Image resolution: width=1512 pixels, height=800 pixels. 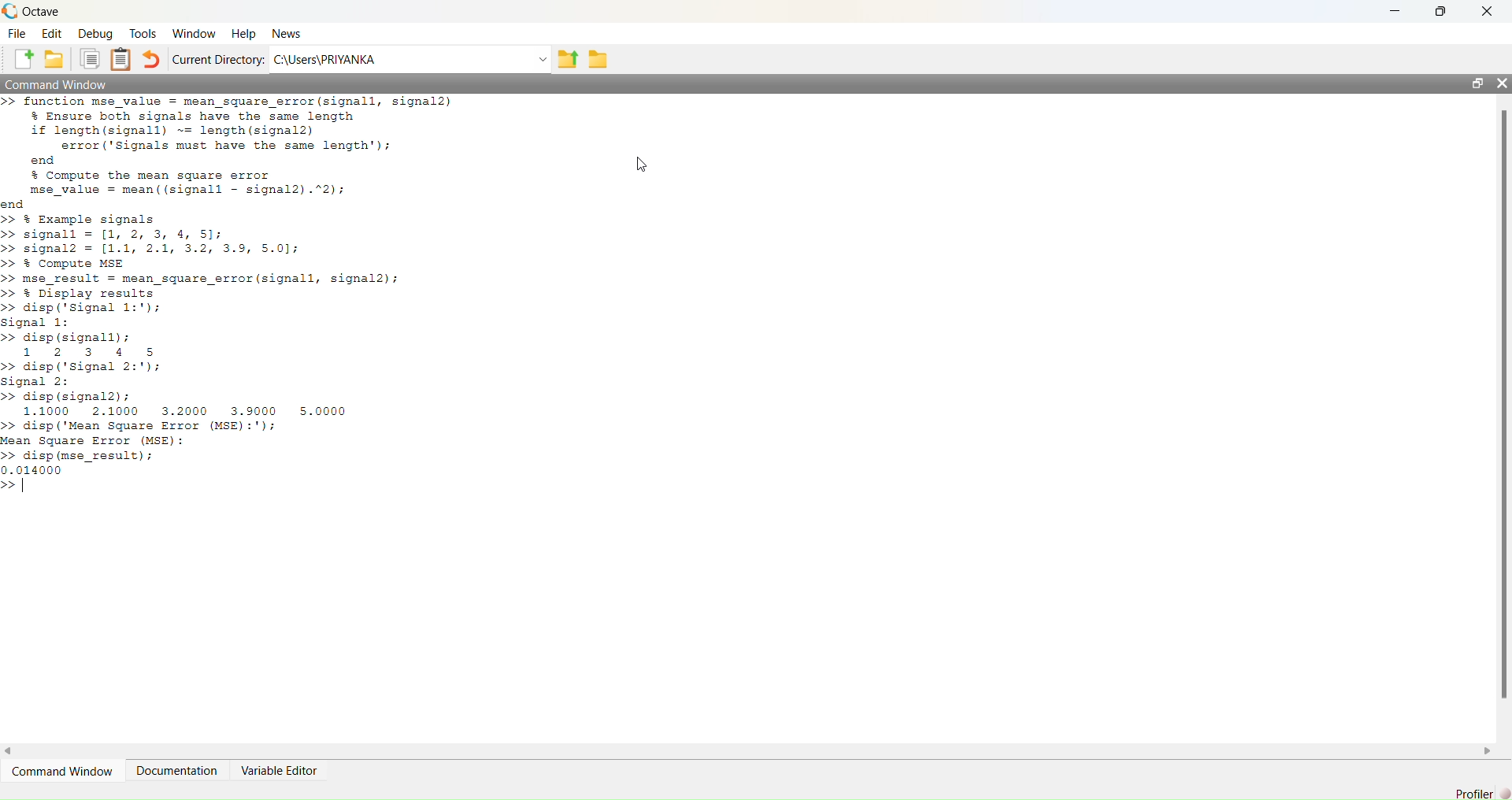 I want to click on add file, so click(x=23, y=59).